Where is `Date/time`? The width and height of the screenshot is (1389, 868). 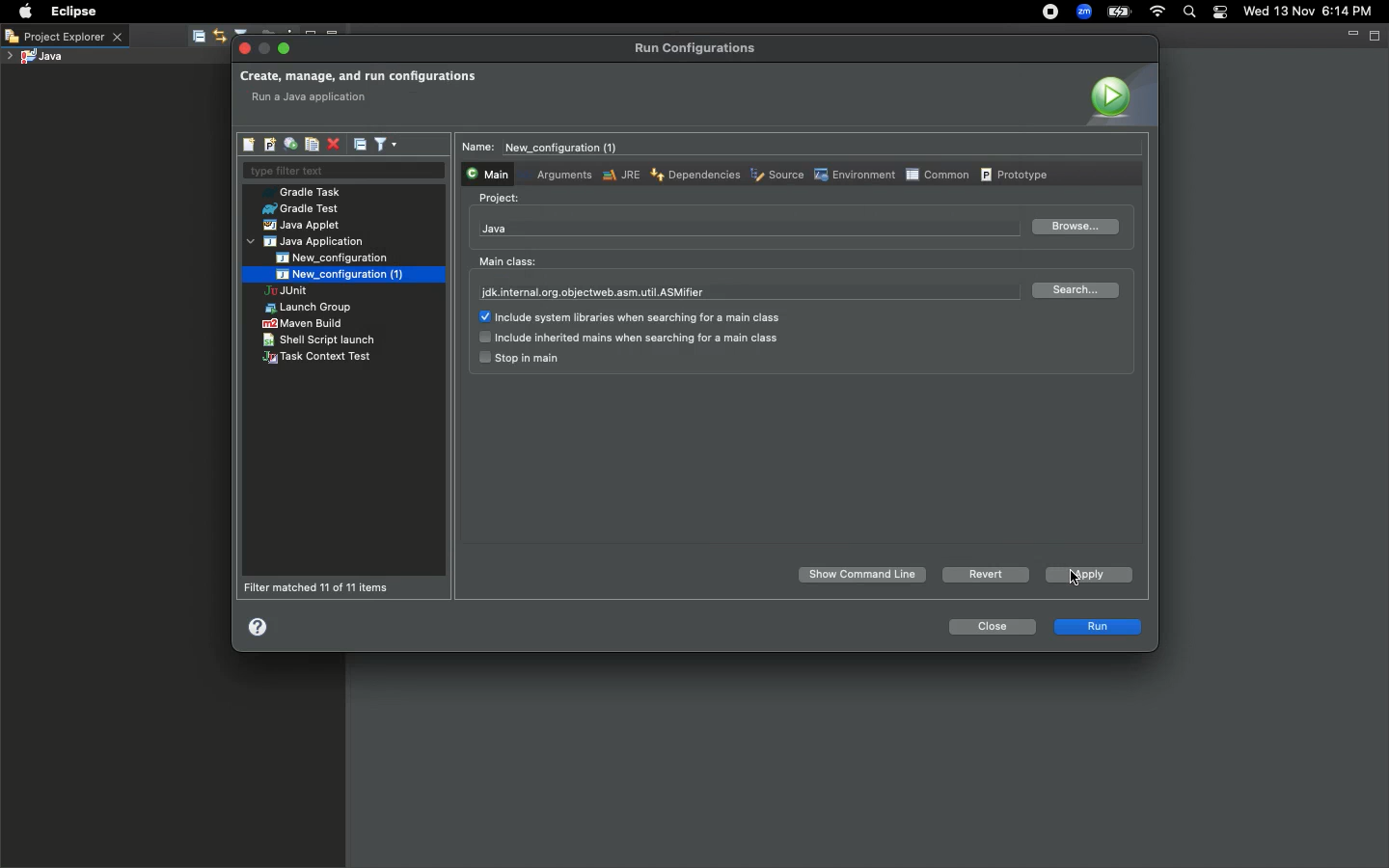 Date/time is located at coordinates (1316, 11).